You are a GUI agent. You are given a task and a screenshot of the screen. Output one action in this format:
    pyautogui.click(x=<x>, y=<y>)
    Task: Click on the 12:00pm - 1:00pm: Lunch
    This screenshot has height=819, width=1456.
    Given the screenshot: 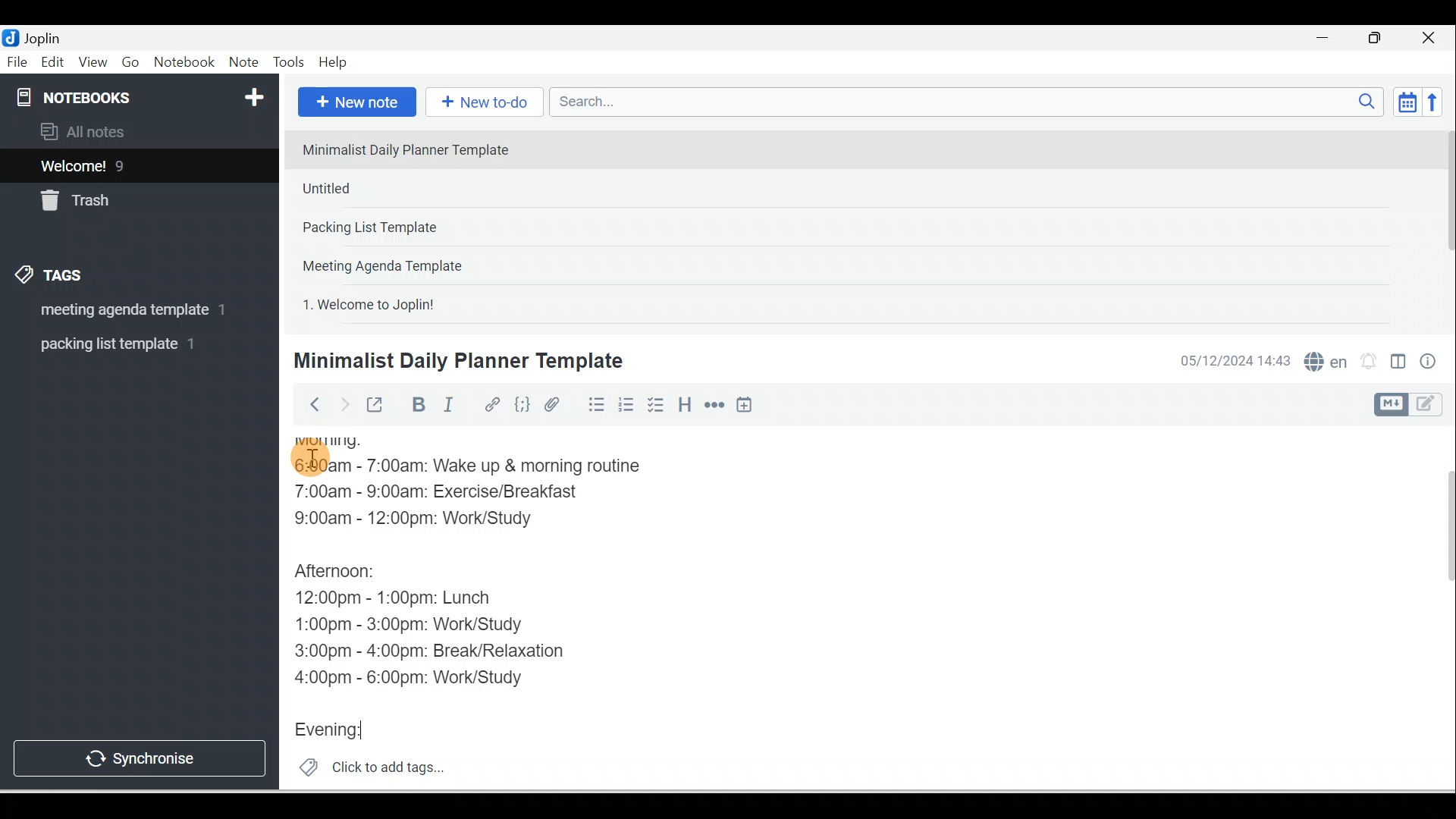 What is the action you would take?
    pyautogui.click(x=412, y=599)
    